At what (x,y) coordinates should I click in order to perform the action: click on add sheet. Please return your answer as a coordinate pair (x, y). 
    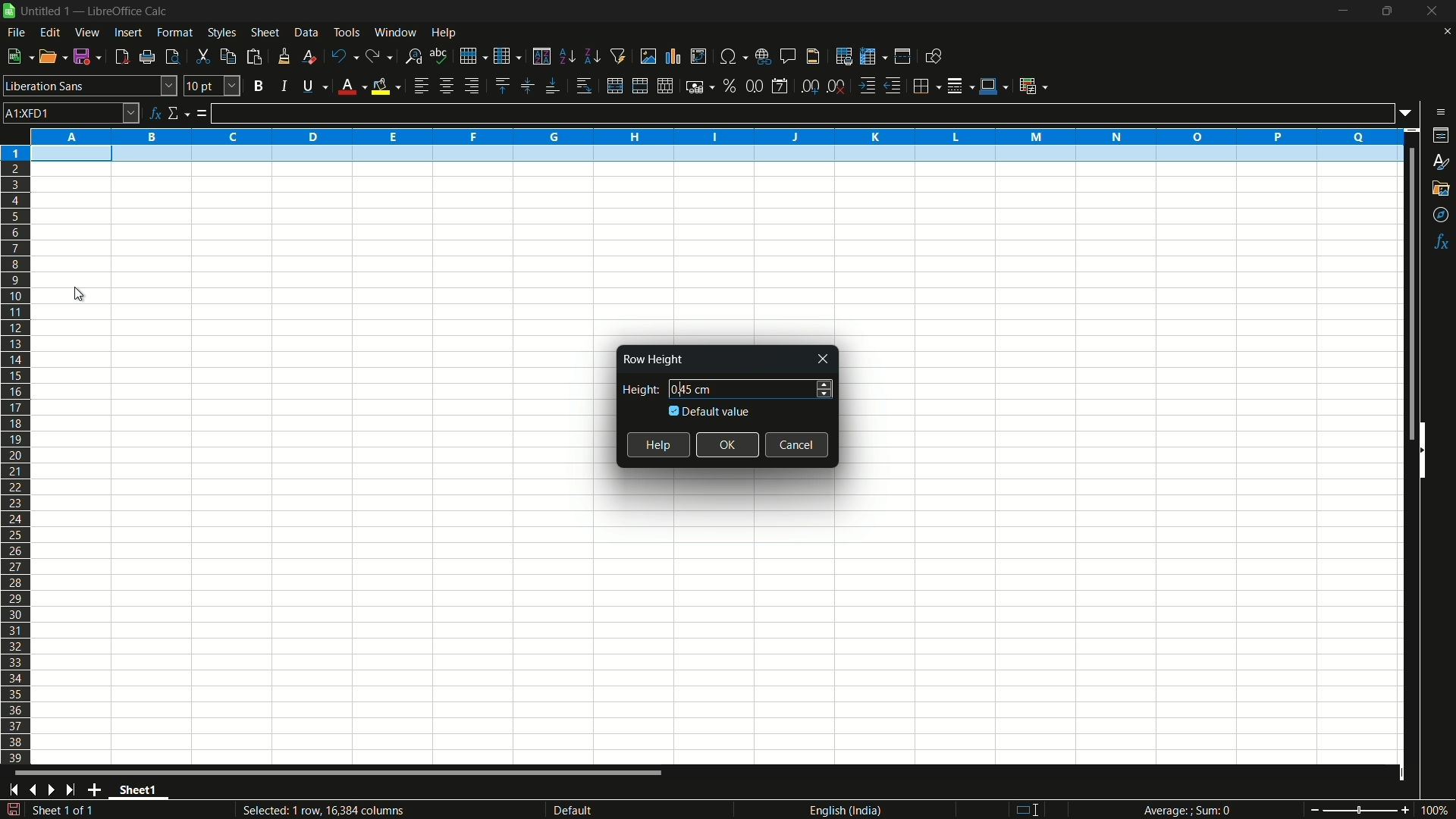
    Looking at the image, I should click on (98, 789).